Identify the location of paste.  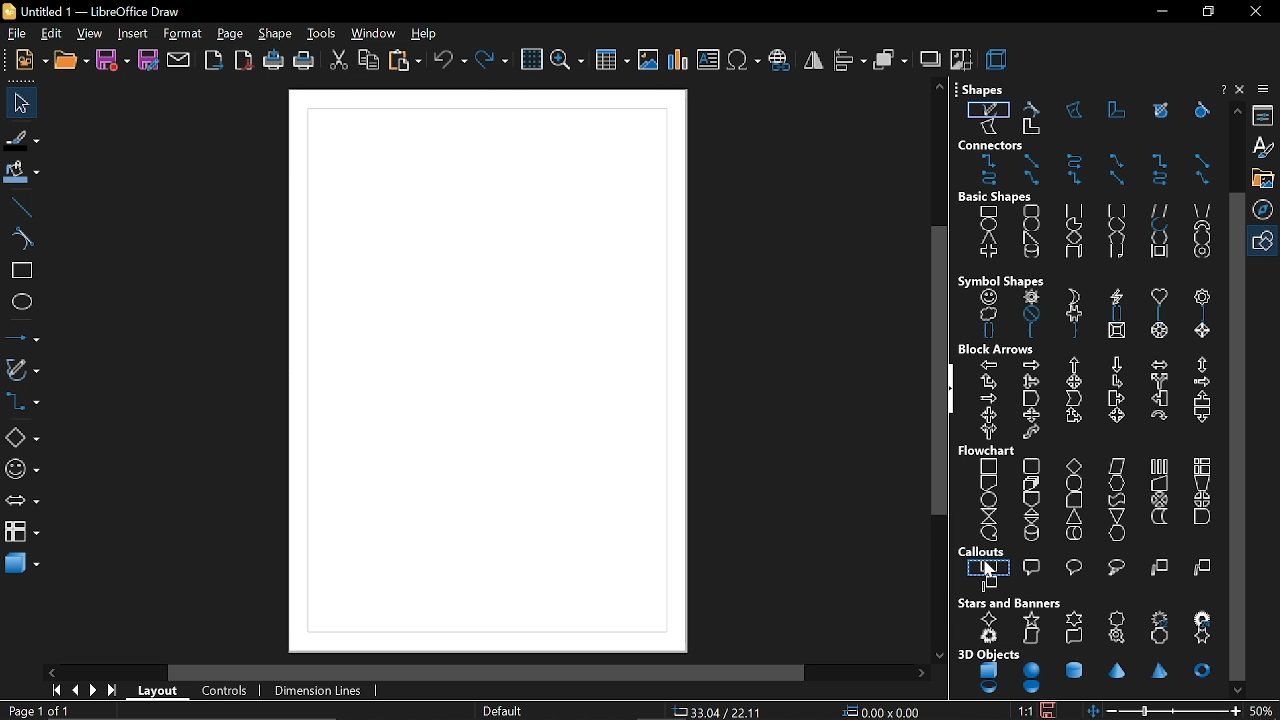
(404, 62).